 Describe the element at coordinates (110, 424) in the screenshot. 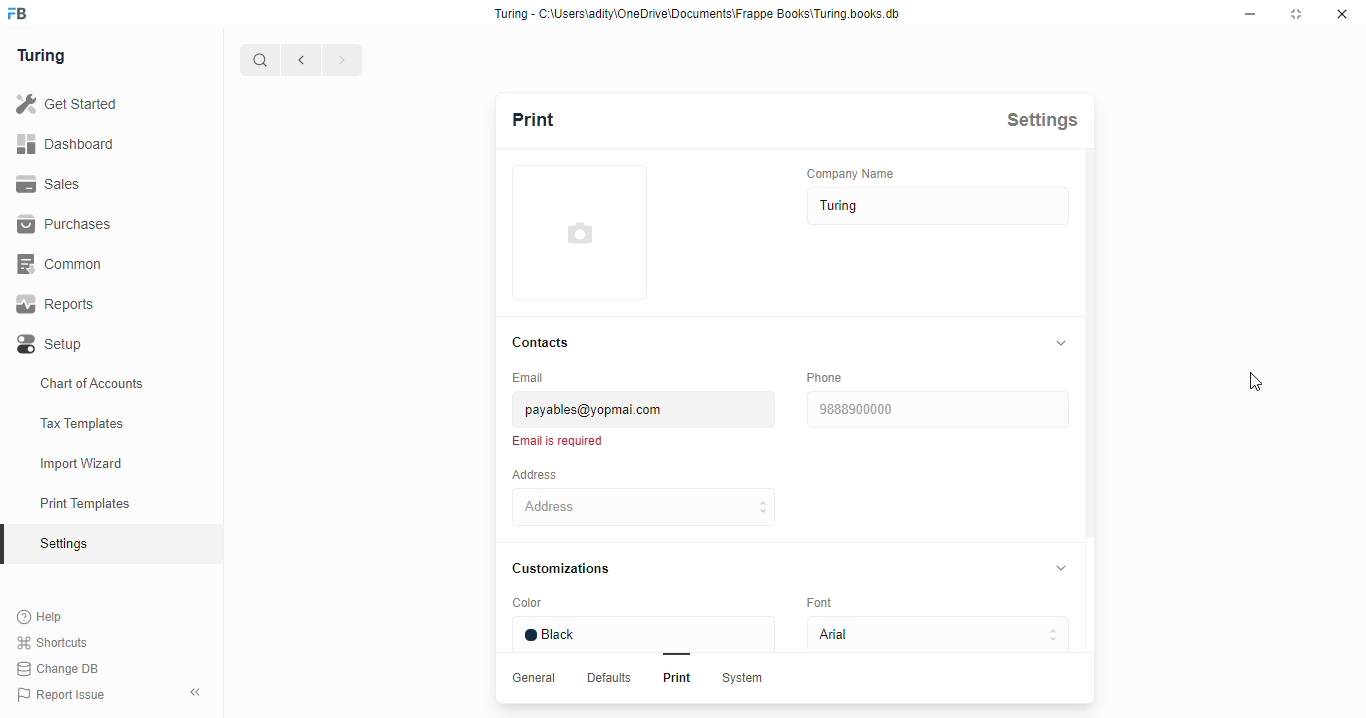

I see `Tax Templates` at that location.